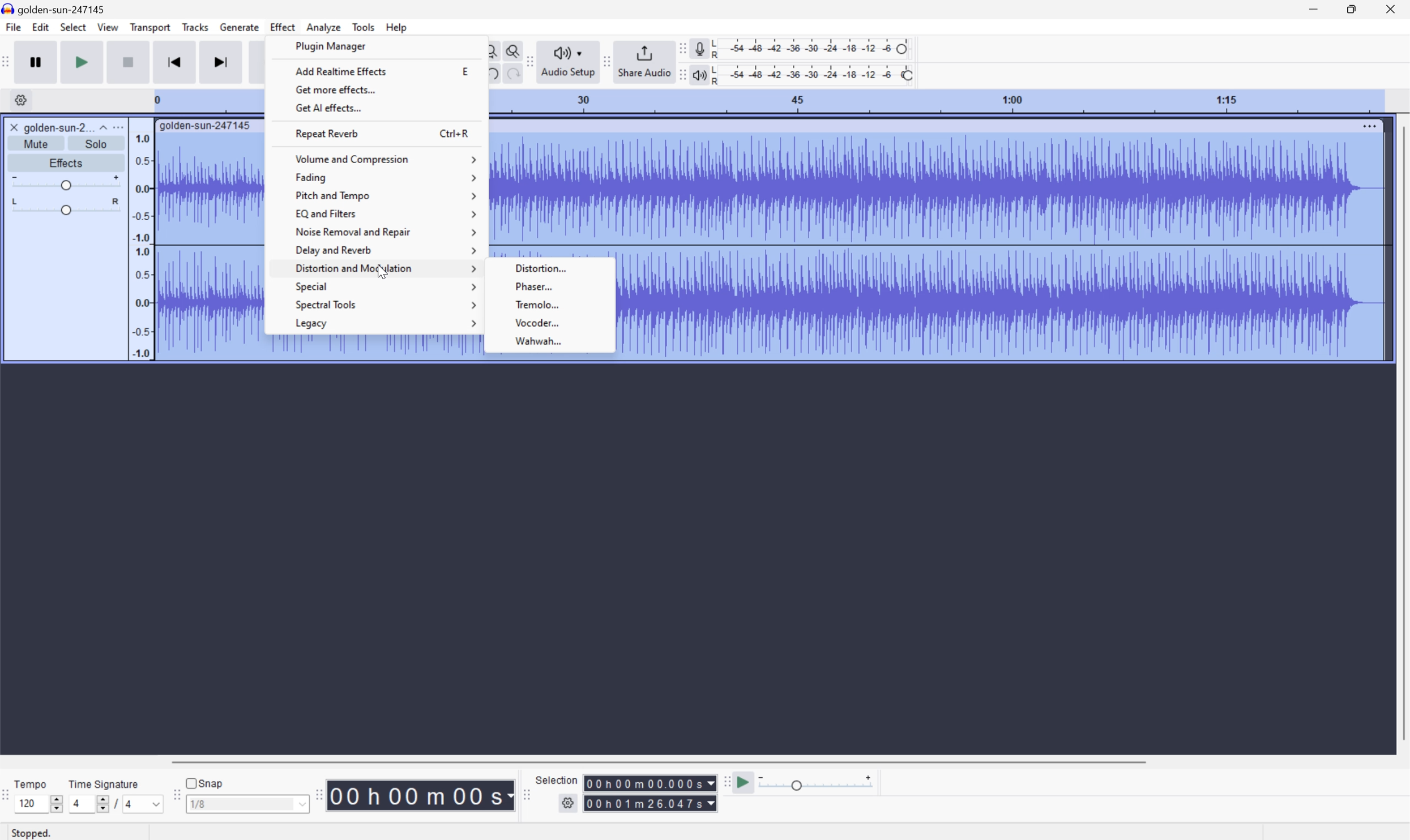 The width and height of the screenshot is (1410, 840). Describe the element at coordinates (386, 323) in the screenshot. I see `Legacy` at that location.